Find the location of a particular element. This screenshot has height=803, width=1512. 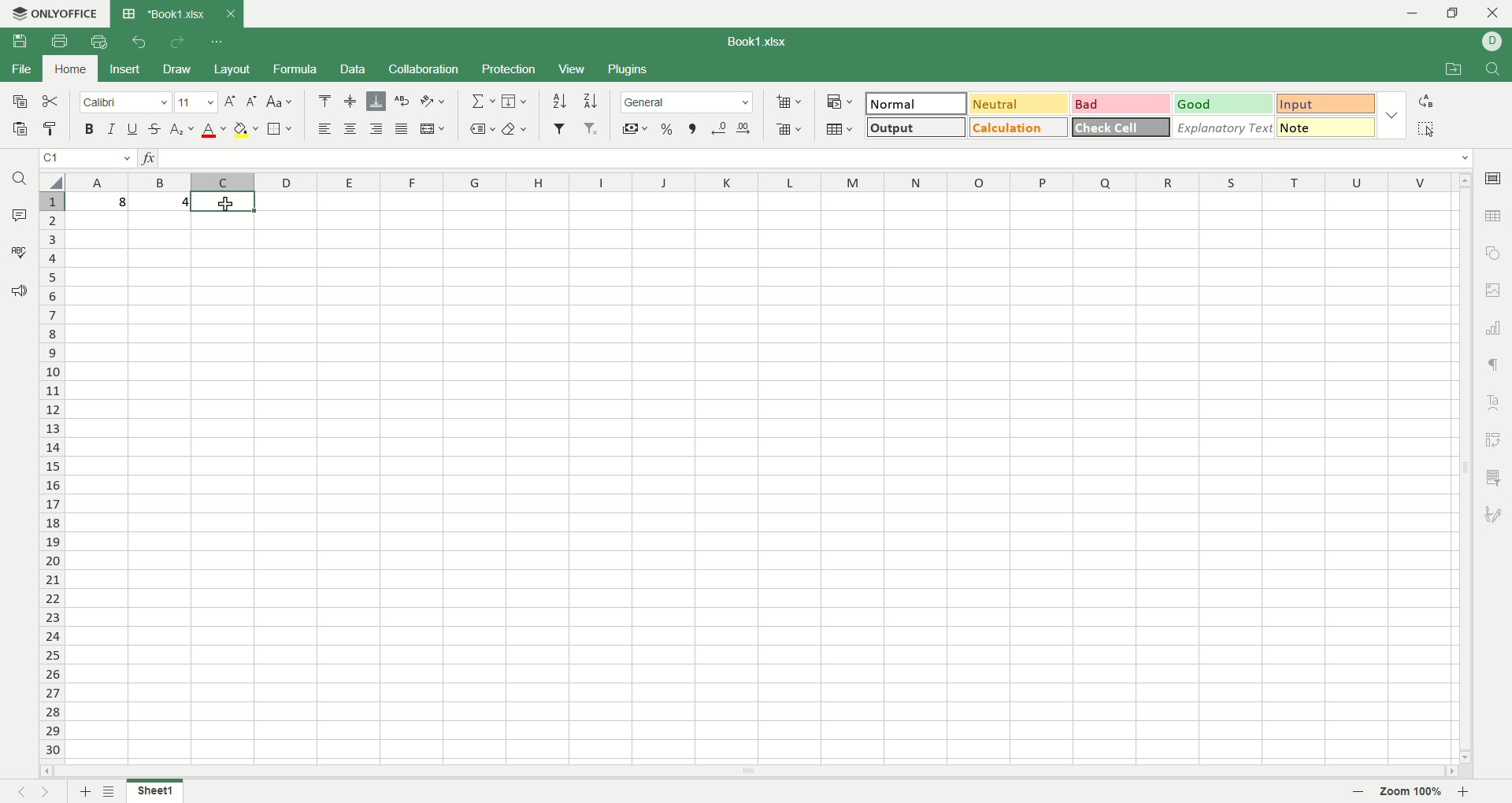

input is located at coordinates (1325, 103).